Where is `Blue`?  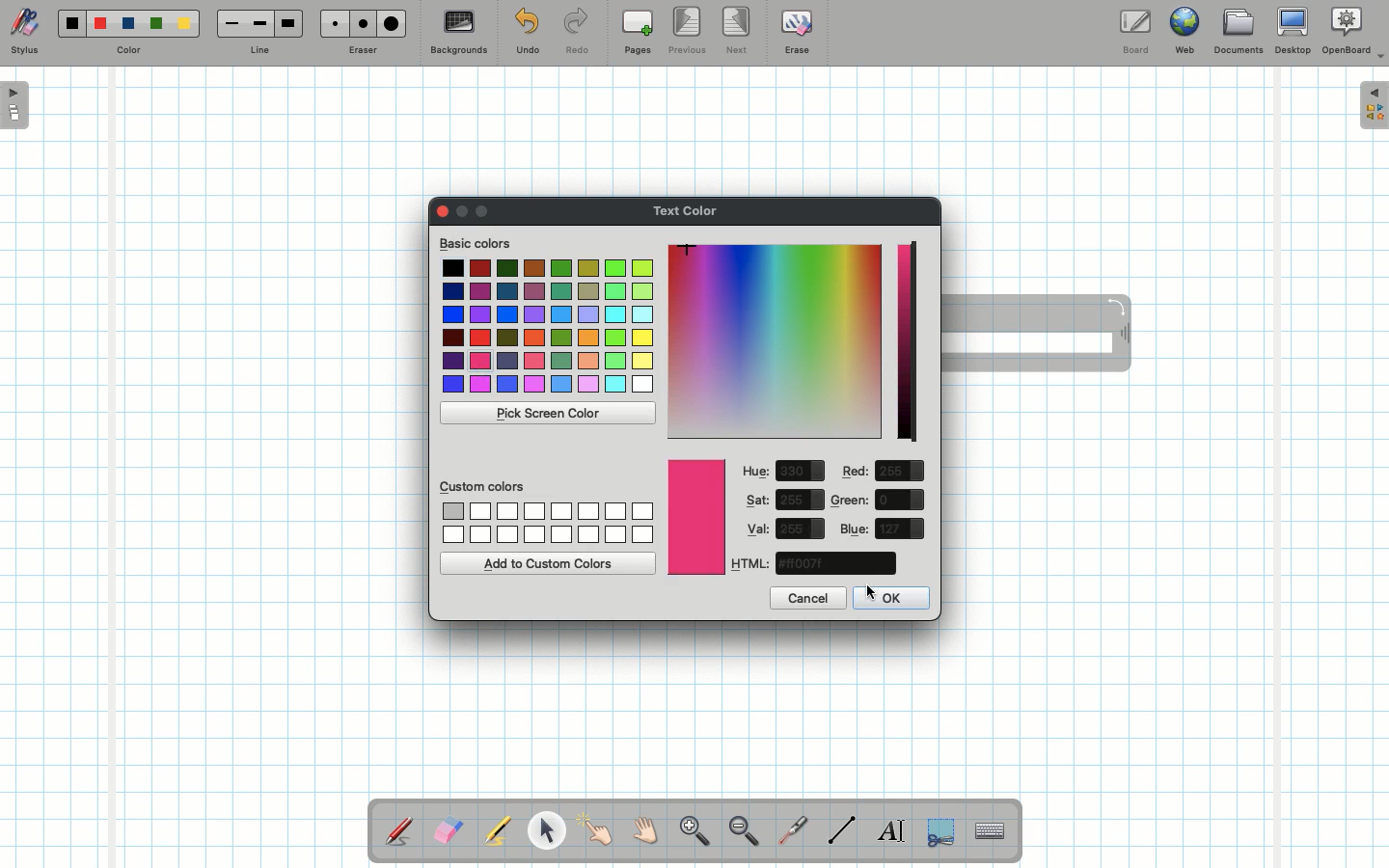 Blue is located at coordinates (855, 529).